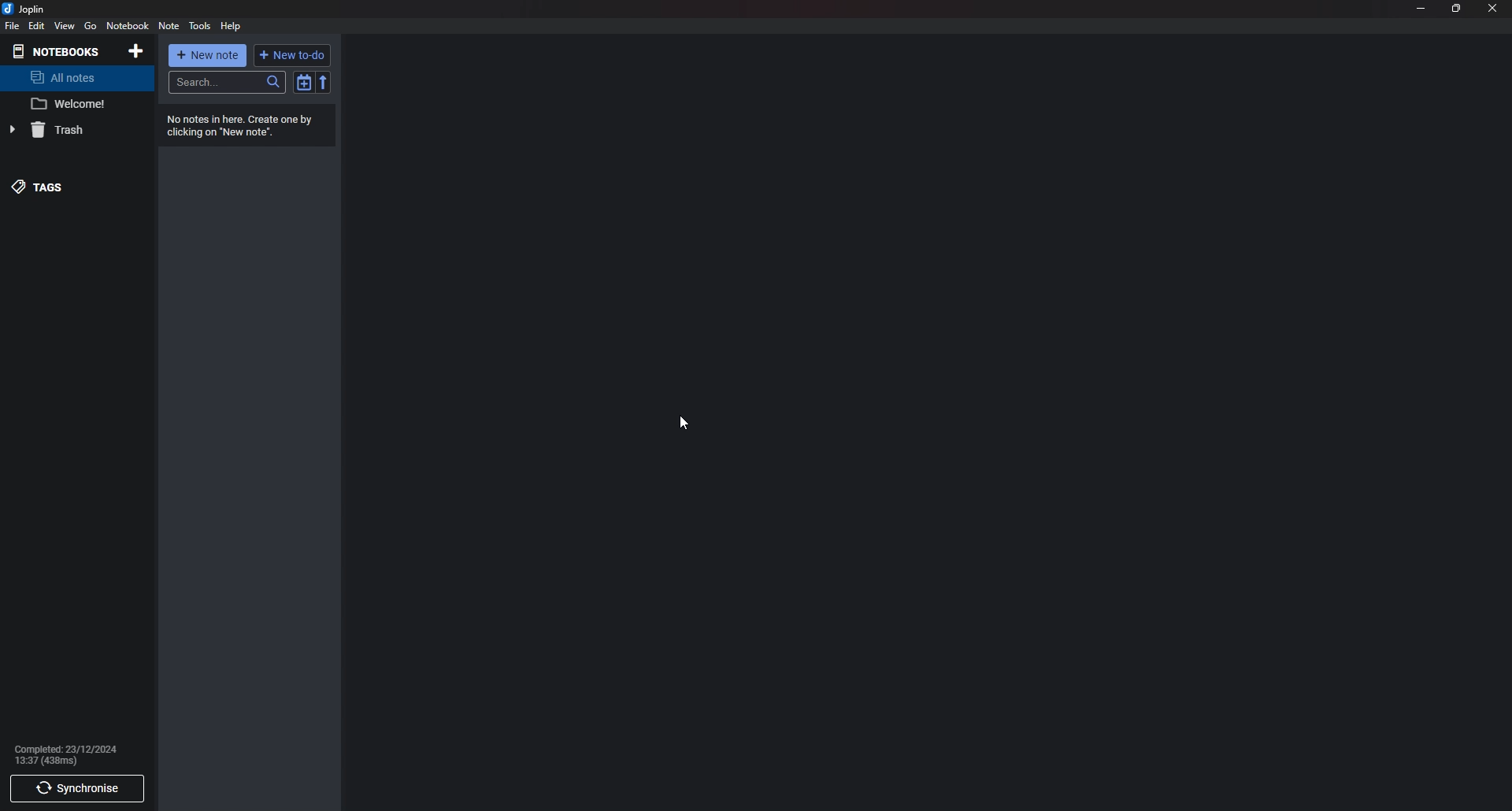  Describe the element at coordinates (324, 83) in the screenshot. I see `Reverse sort order` at that location.